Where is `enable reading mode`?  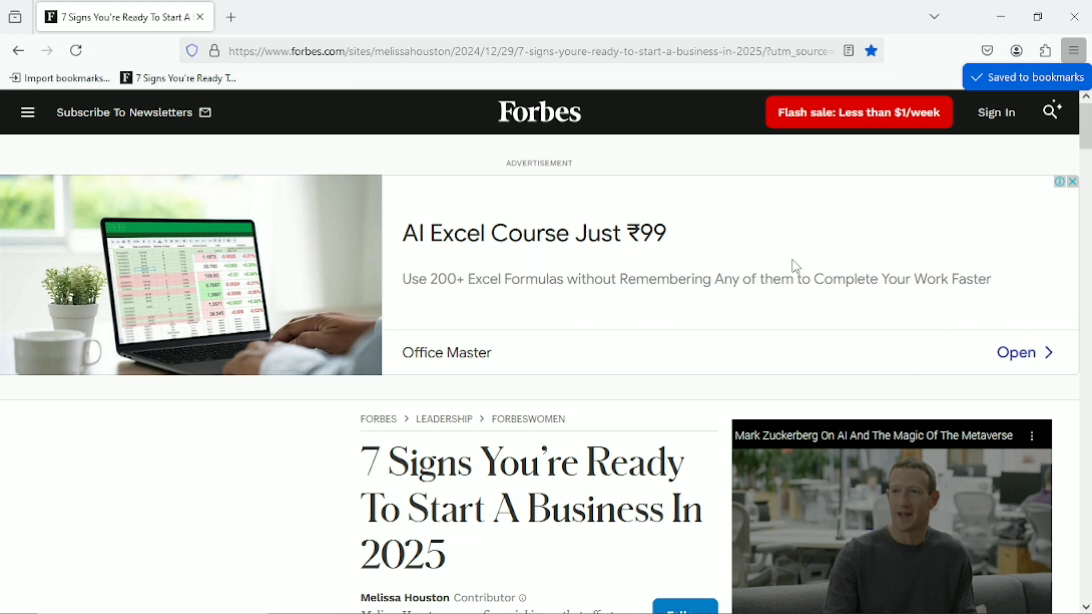
enable reading mode is located at coordinates (849, 50).